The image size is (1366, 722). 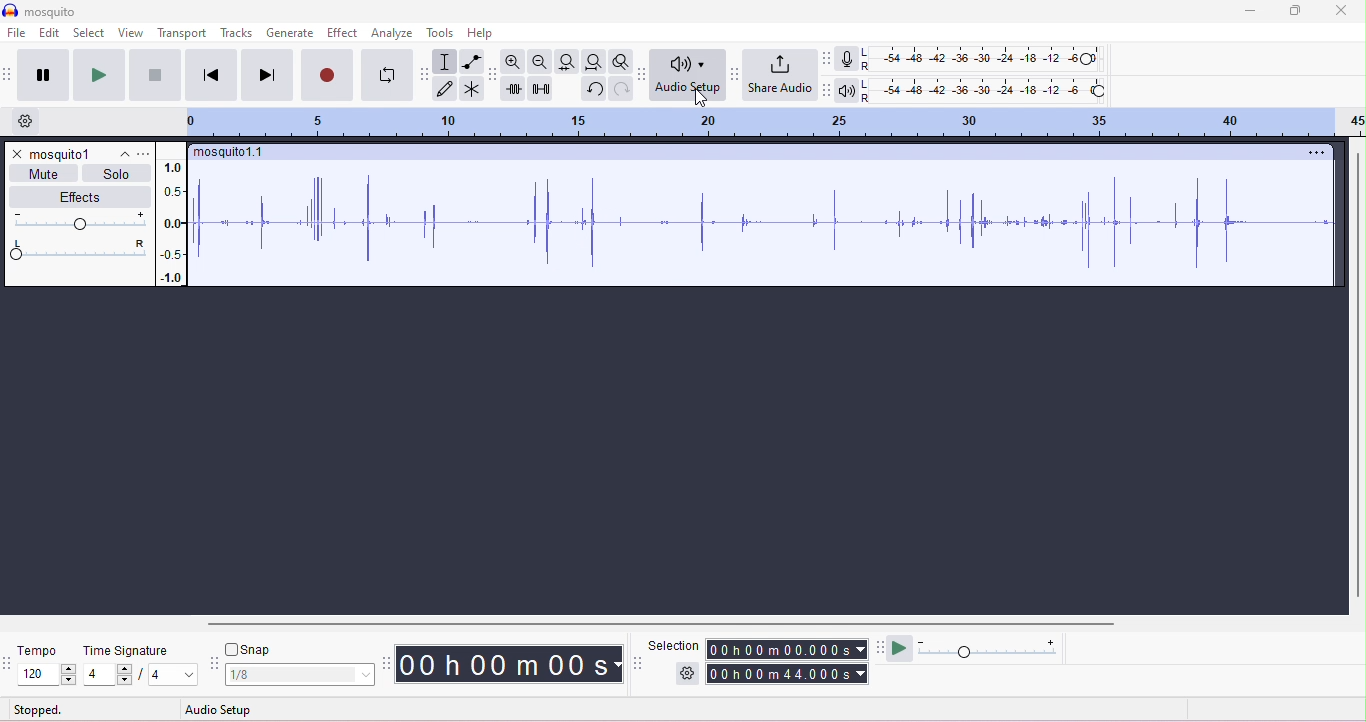 I want to click on multi, so click(x=470, y=88).